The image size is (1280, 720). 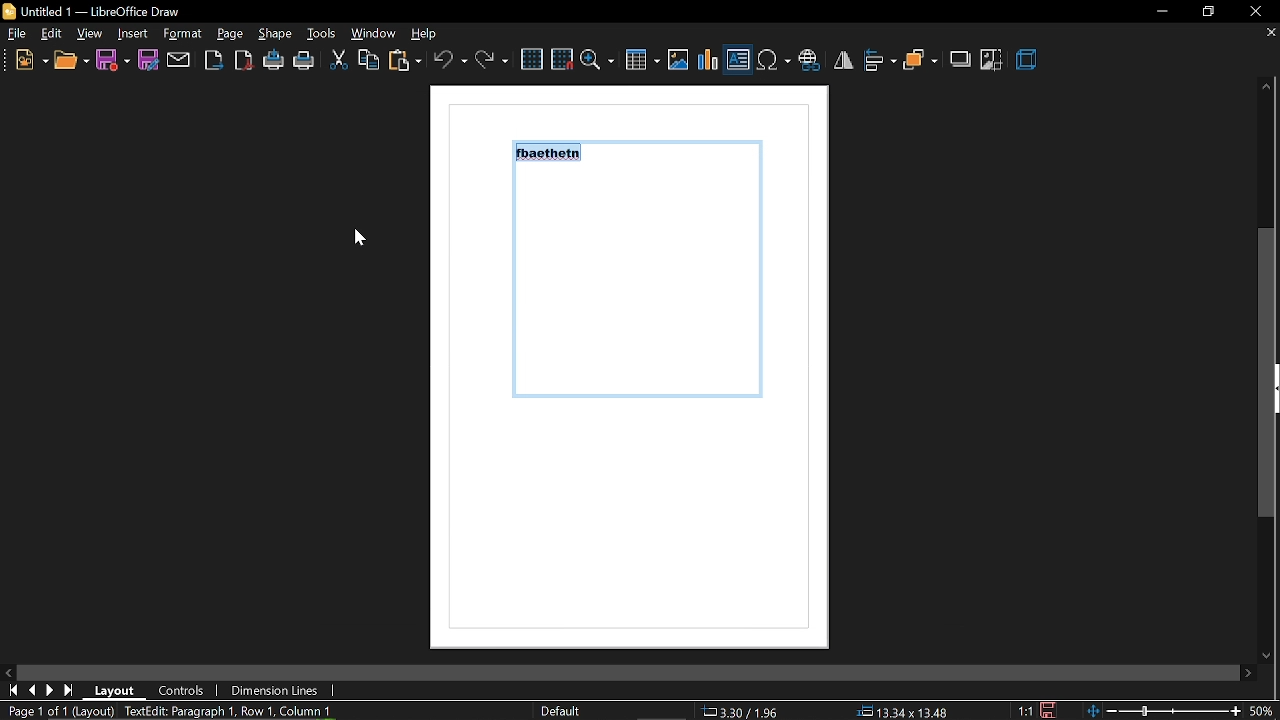 What do you see at coordinates (214, 59) in the screenshot?
I see `Export` at bounding box center [214, 59].